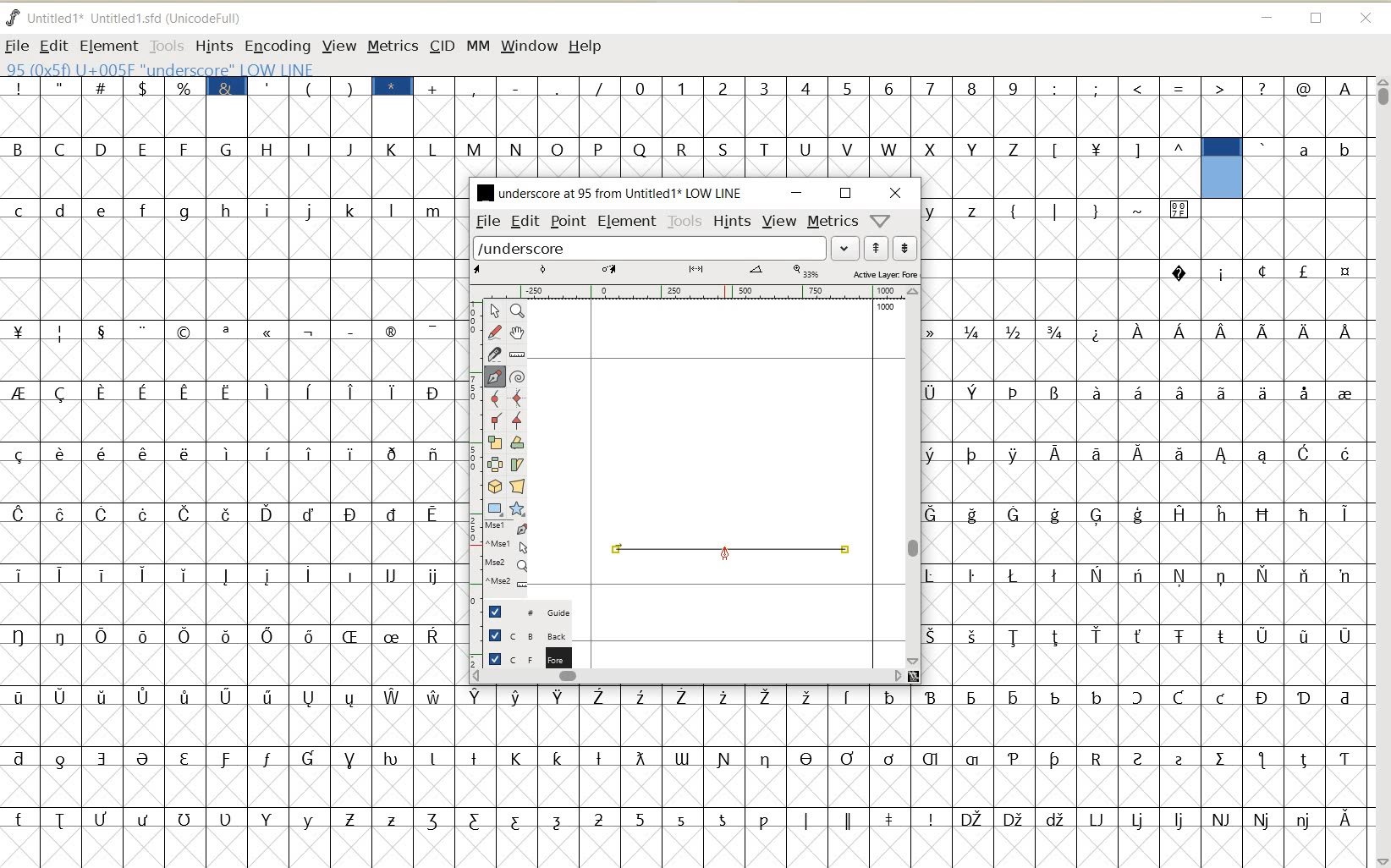  Describe the element at coordinates (522, 656) in the screenshot. I see `FOREGROUND` at that location.